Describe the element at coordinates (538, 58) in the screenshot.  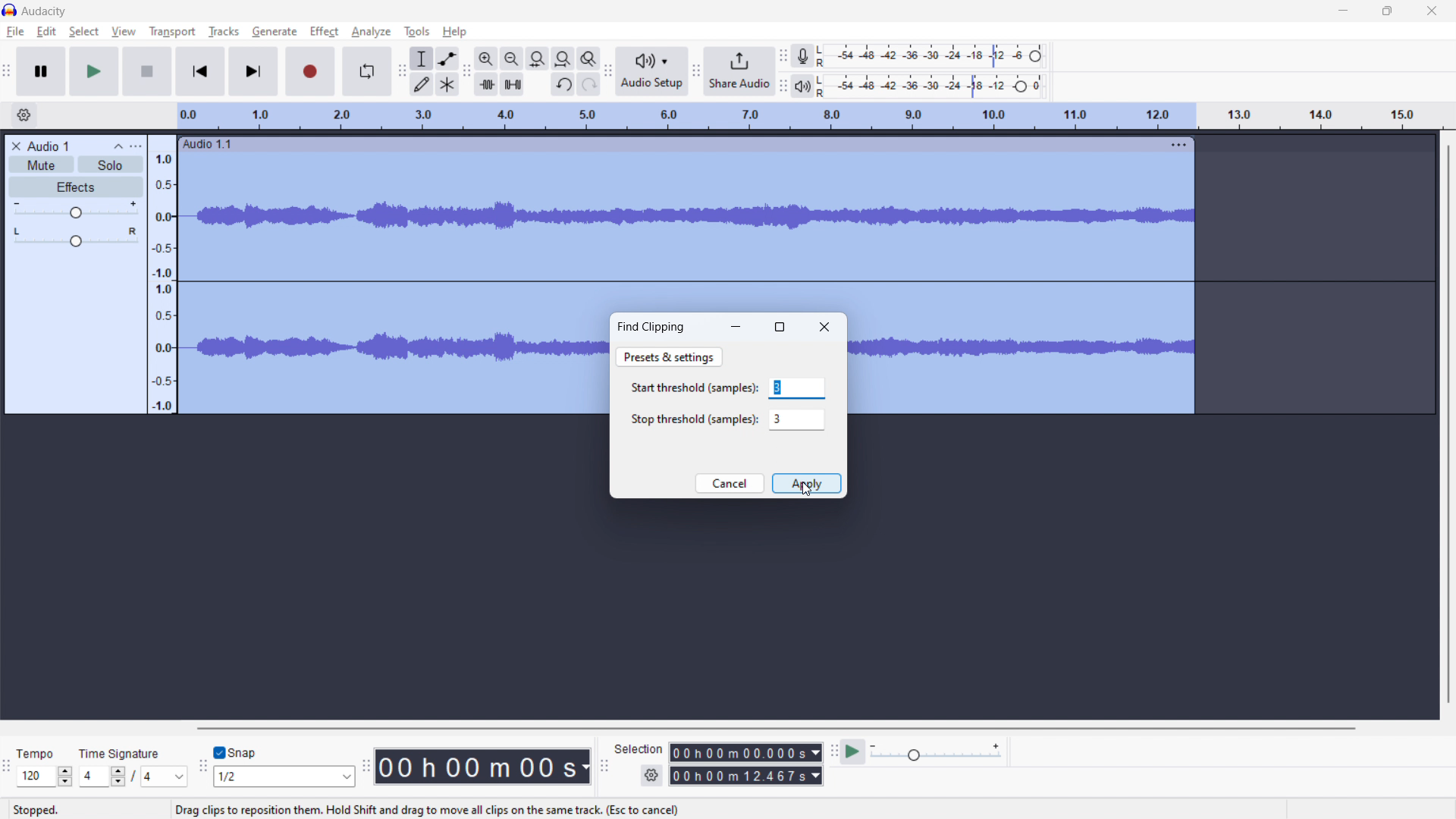
I see `fit selection to width` at that location.